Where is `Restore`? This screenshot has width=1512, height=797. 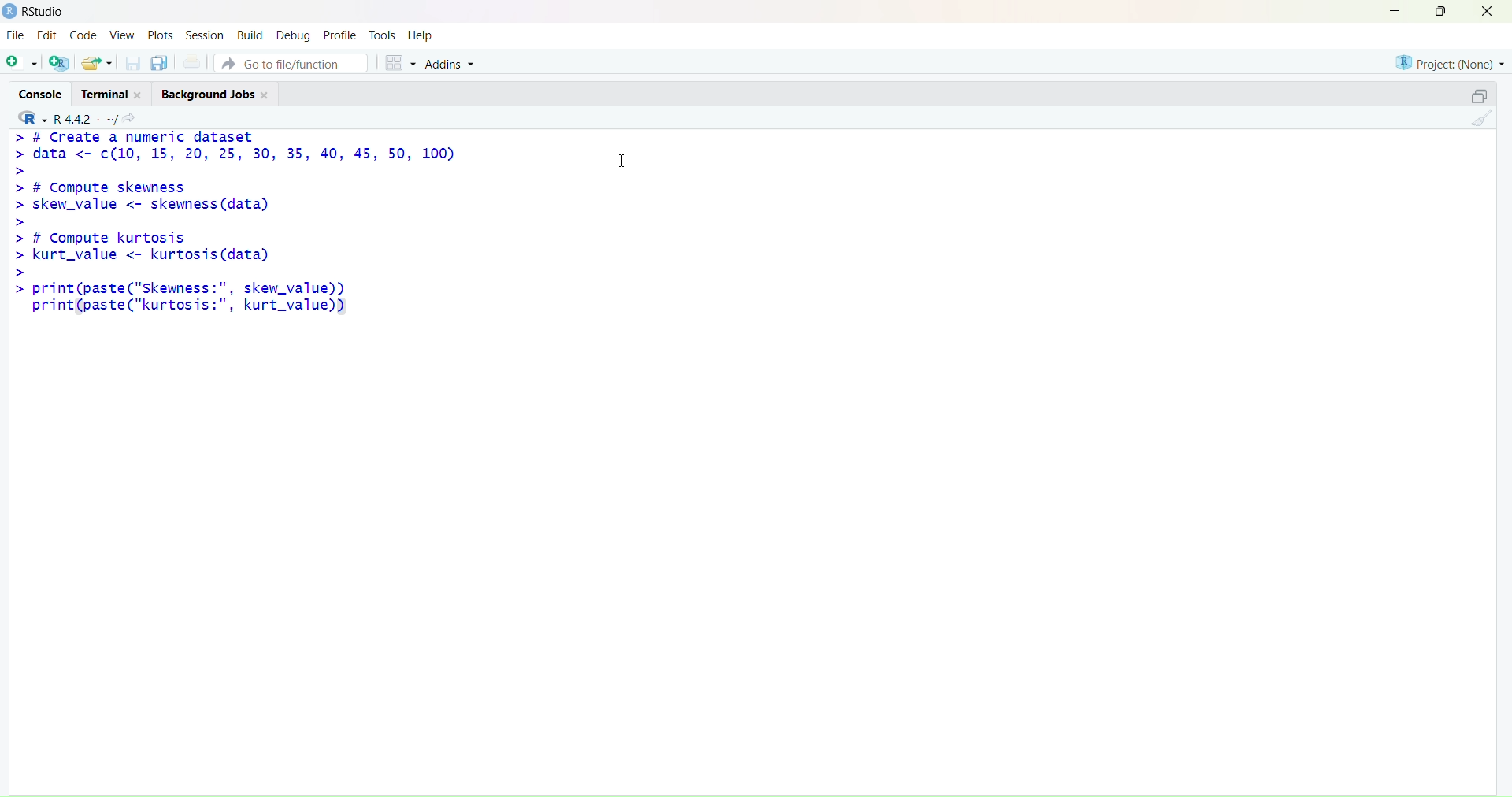 Restore is located at coordinates (1470, 98).